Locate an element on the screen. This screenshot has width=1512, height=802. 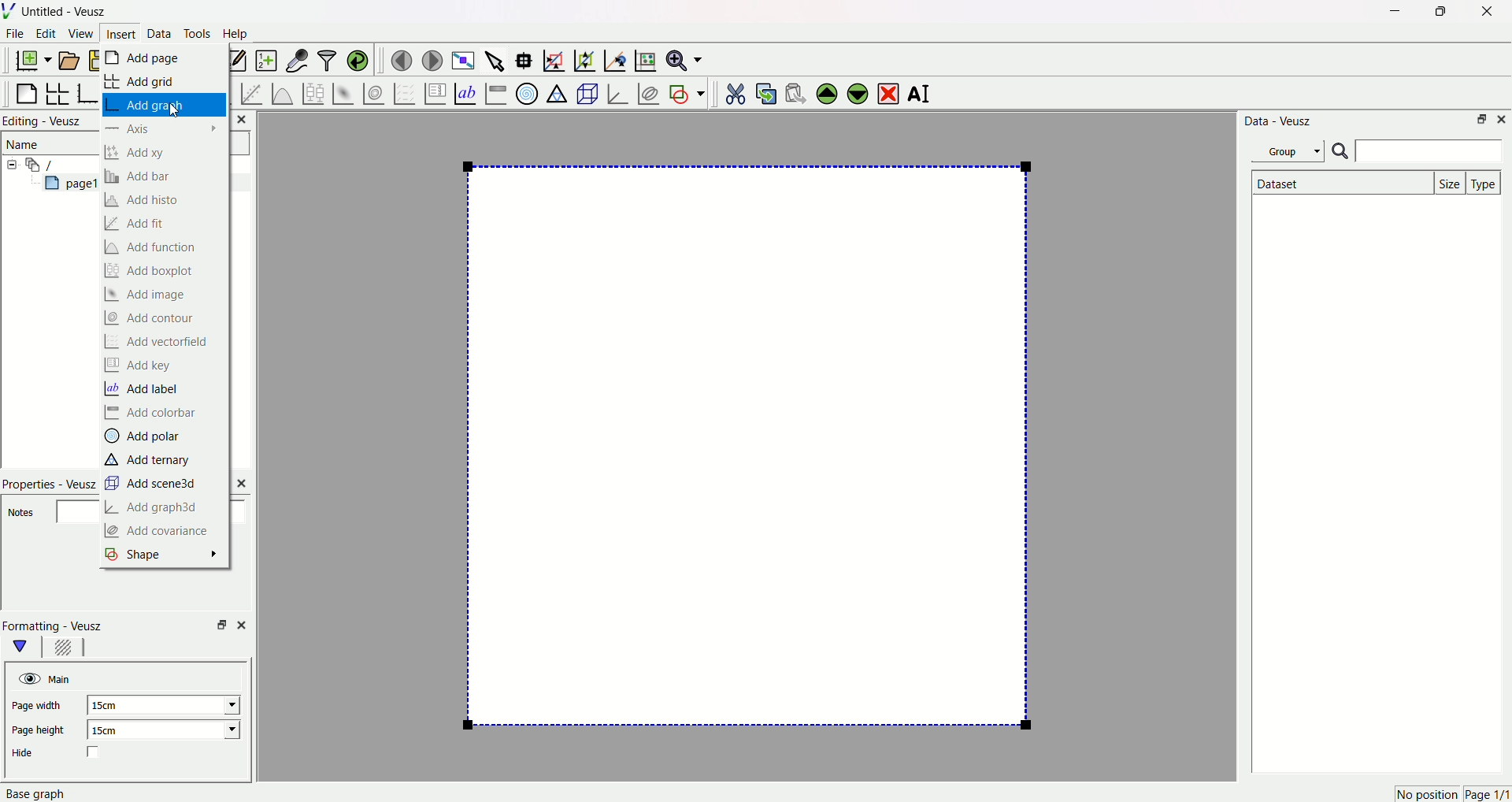
Add graph is located at coordinates (150, 104).